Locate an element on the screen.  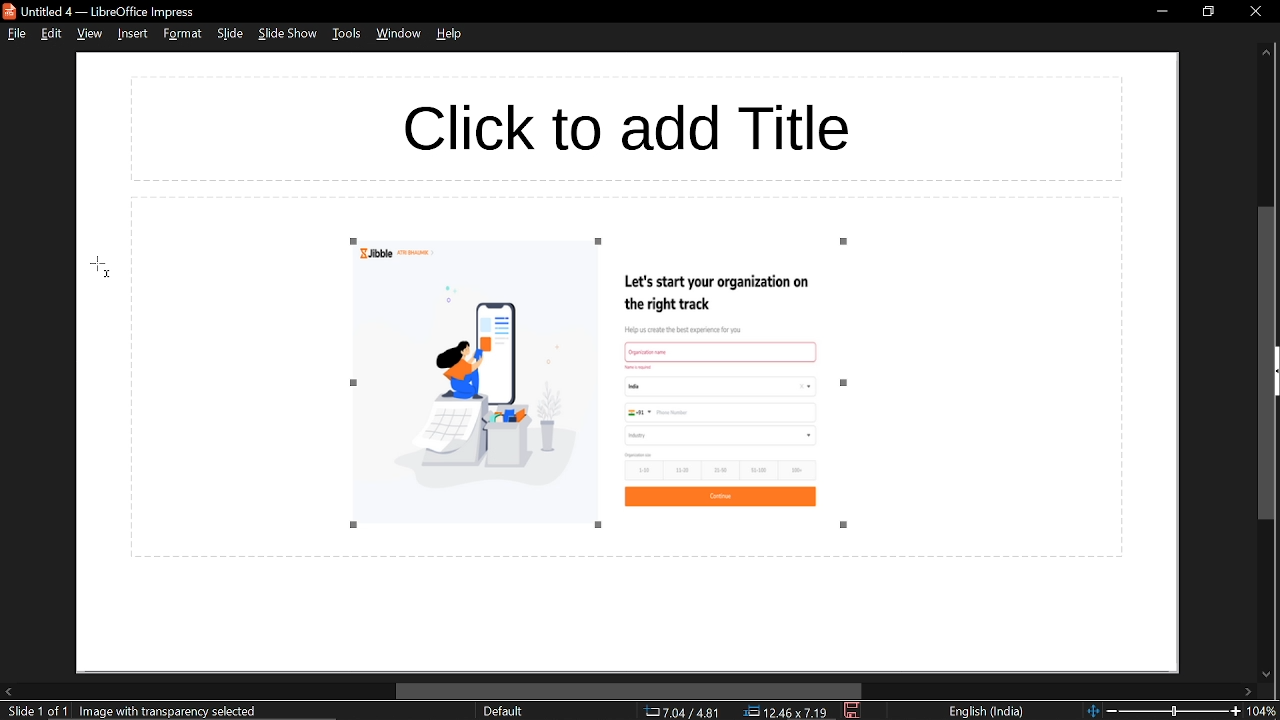
space for title is located at coordinates (646, 122).